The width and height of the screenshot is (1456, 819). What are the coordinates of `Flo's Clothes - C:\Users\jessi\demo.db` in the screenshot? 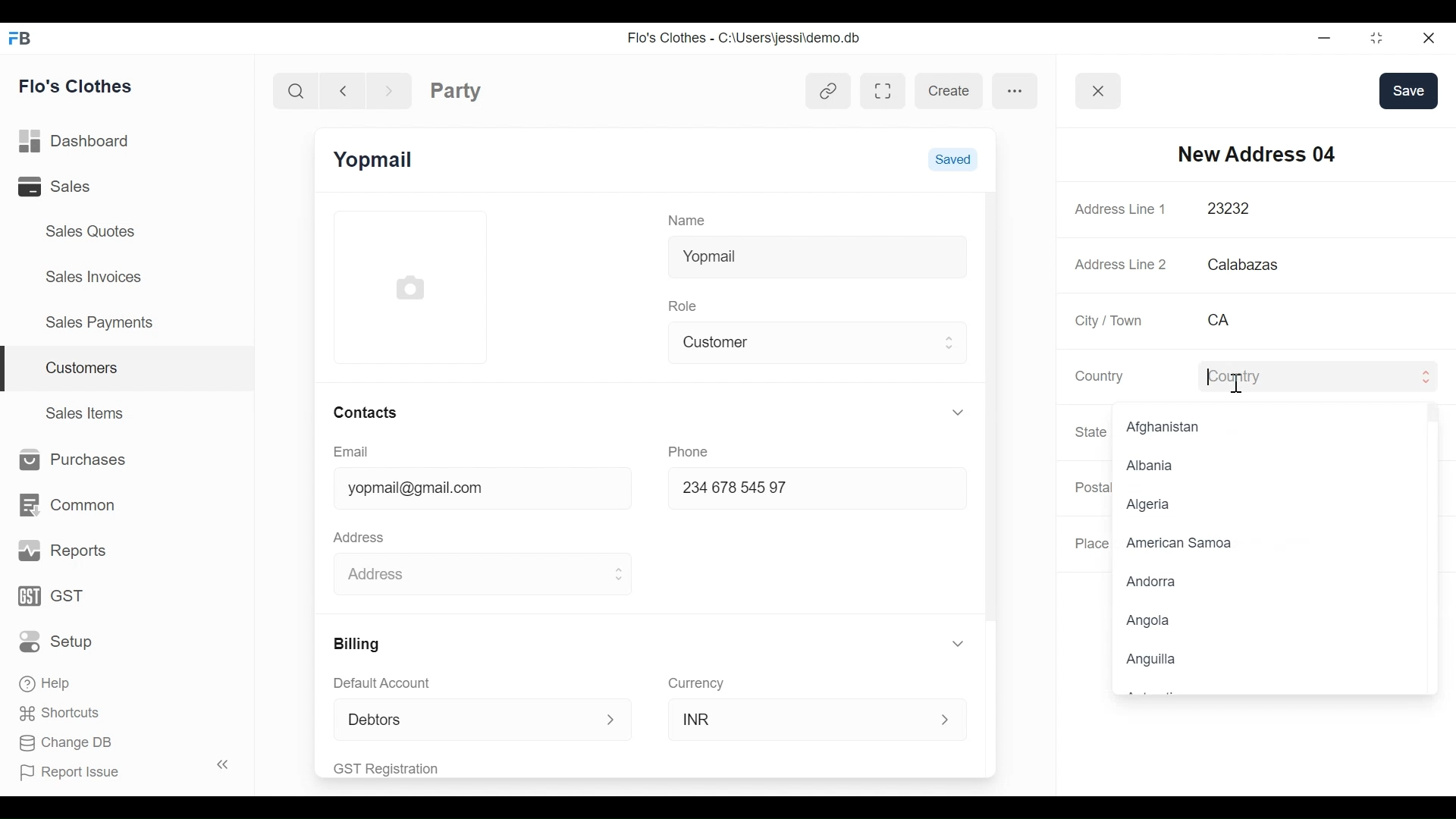 It's located at (746, 39).